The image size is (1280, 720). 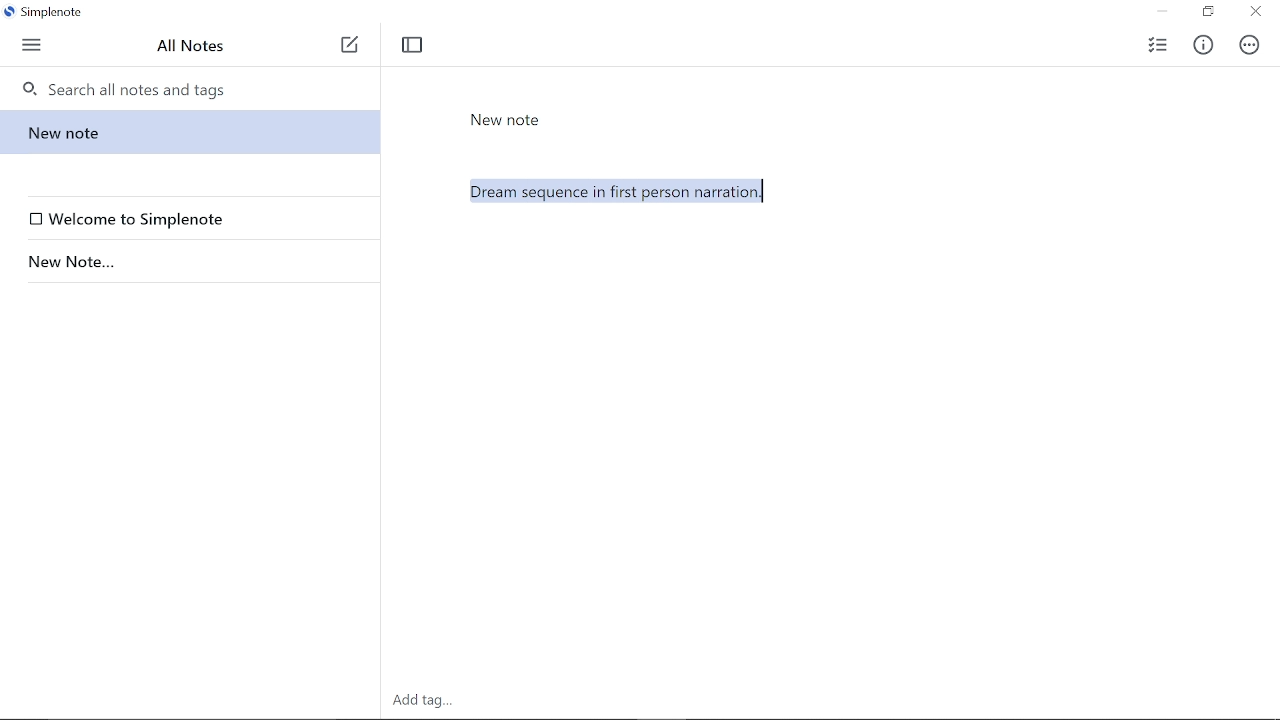 I want to click on Minimize, so click(x=1162, y=12).